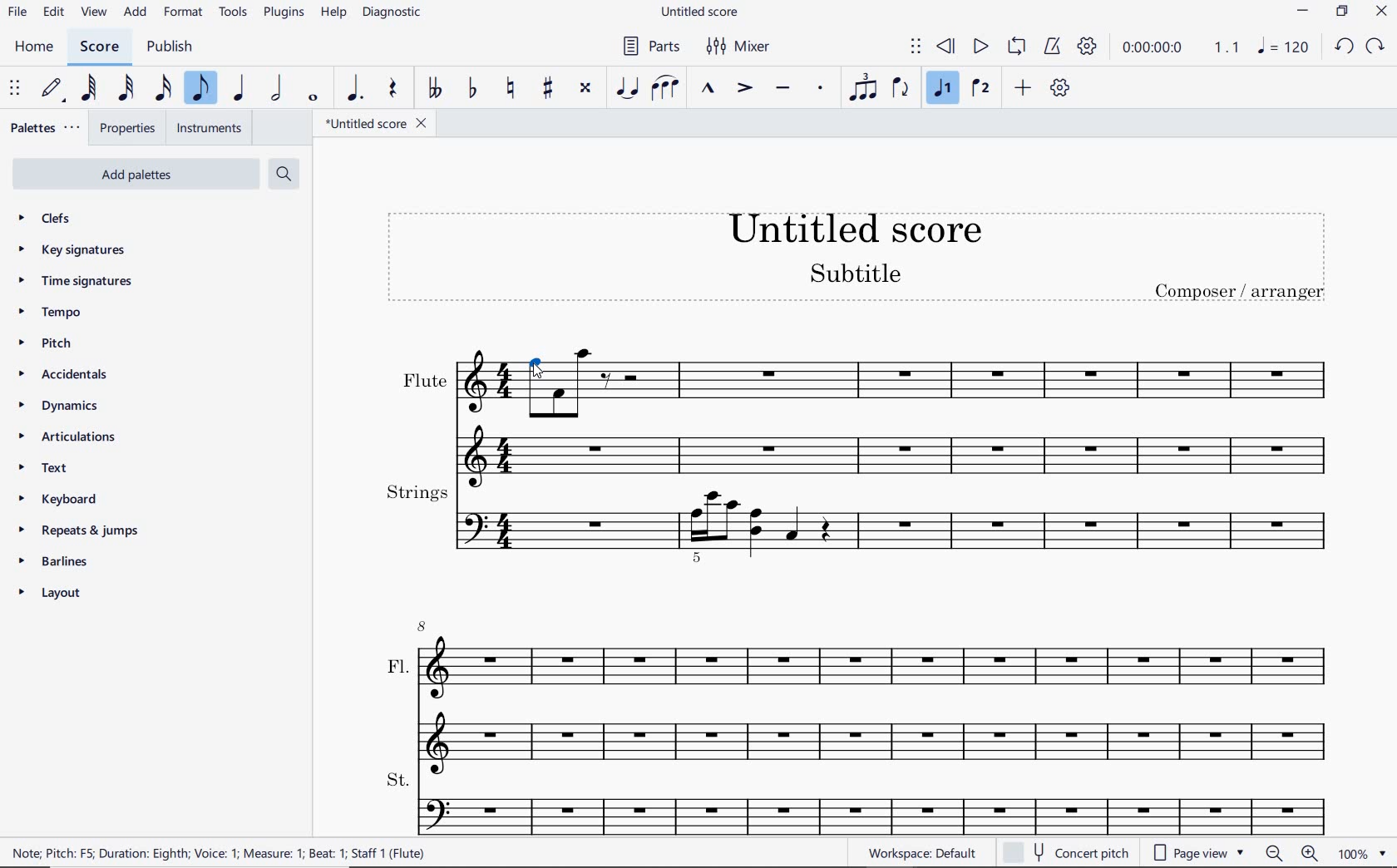 This screenshot has width=1397, height=868. What do you see at coordinates (900, 89) in the screenshot?
I see `FLIP DIRECTION` at bounding box center [900, 89].